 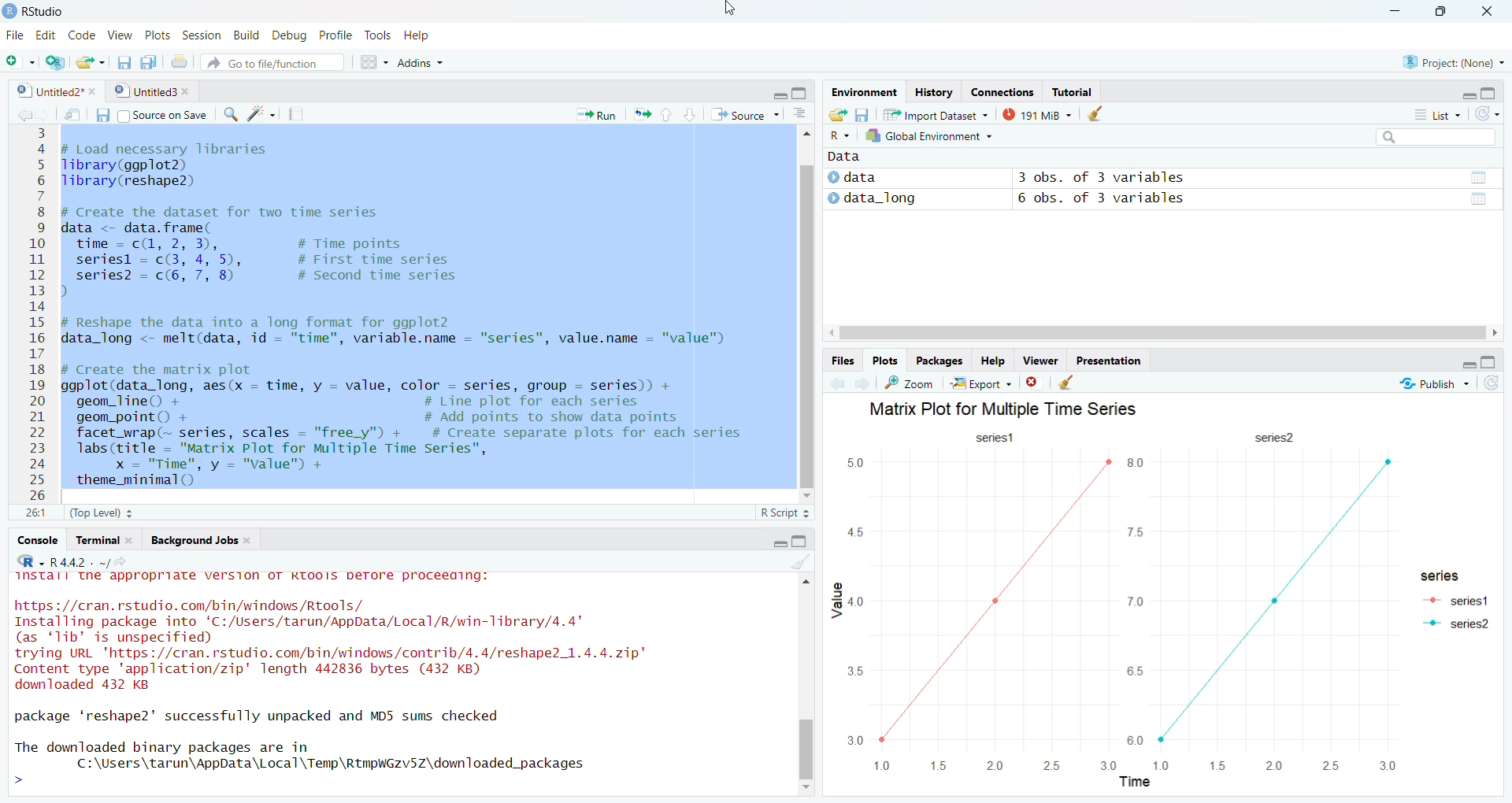 I want to click on  Publish , so click(x=1432, y=383).